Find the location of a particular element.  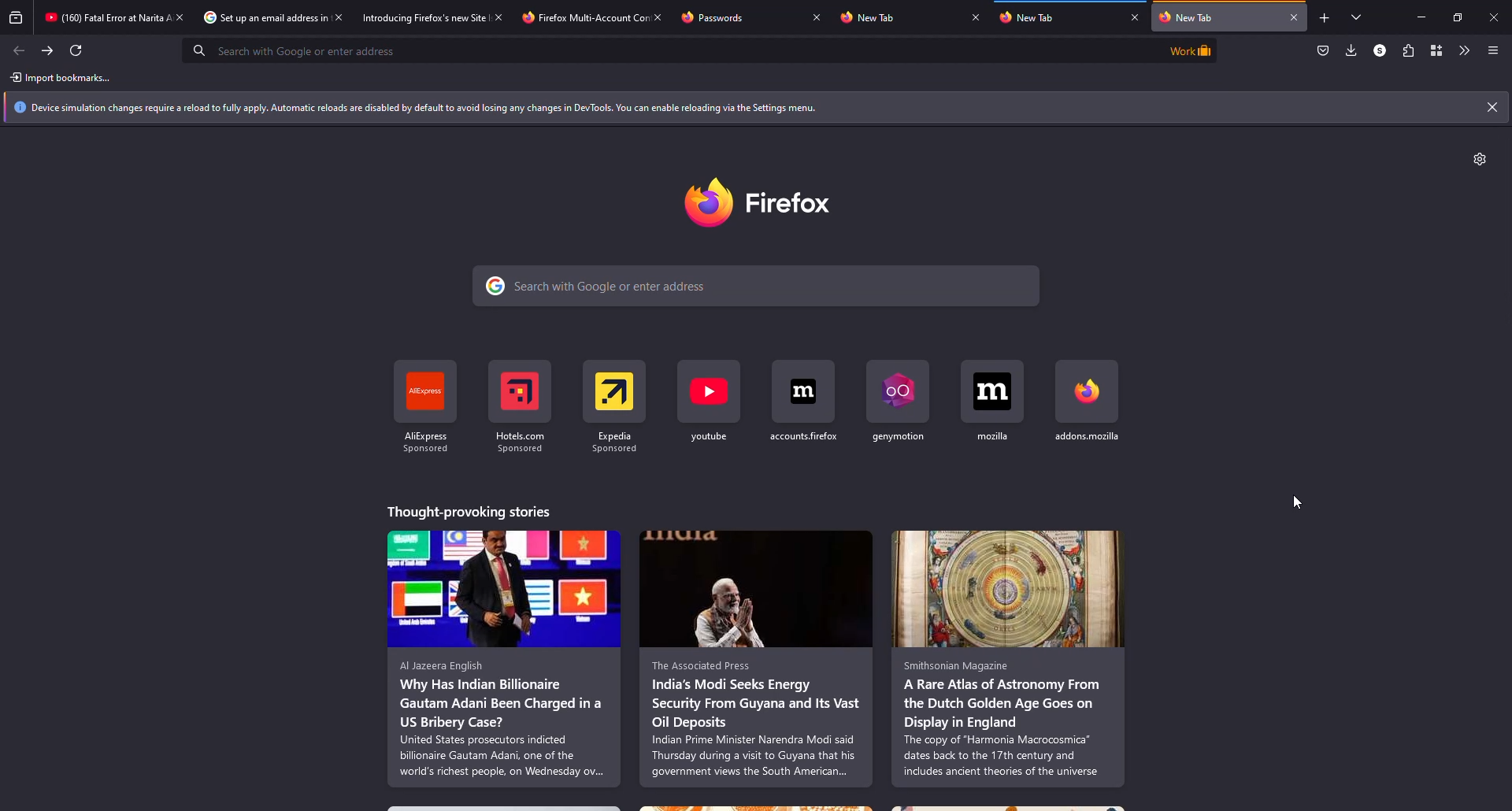

AllExpress shortcut is located at coordinates (426, 406).